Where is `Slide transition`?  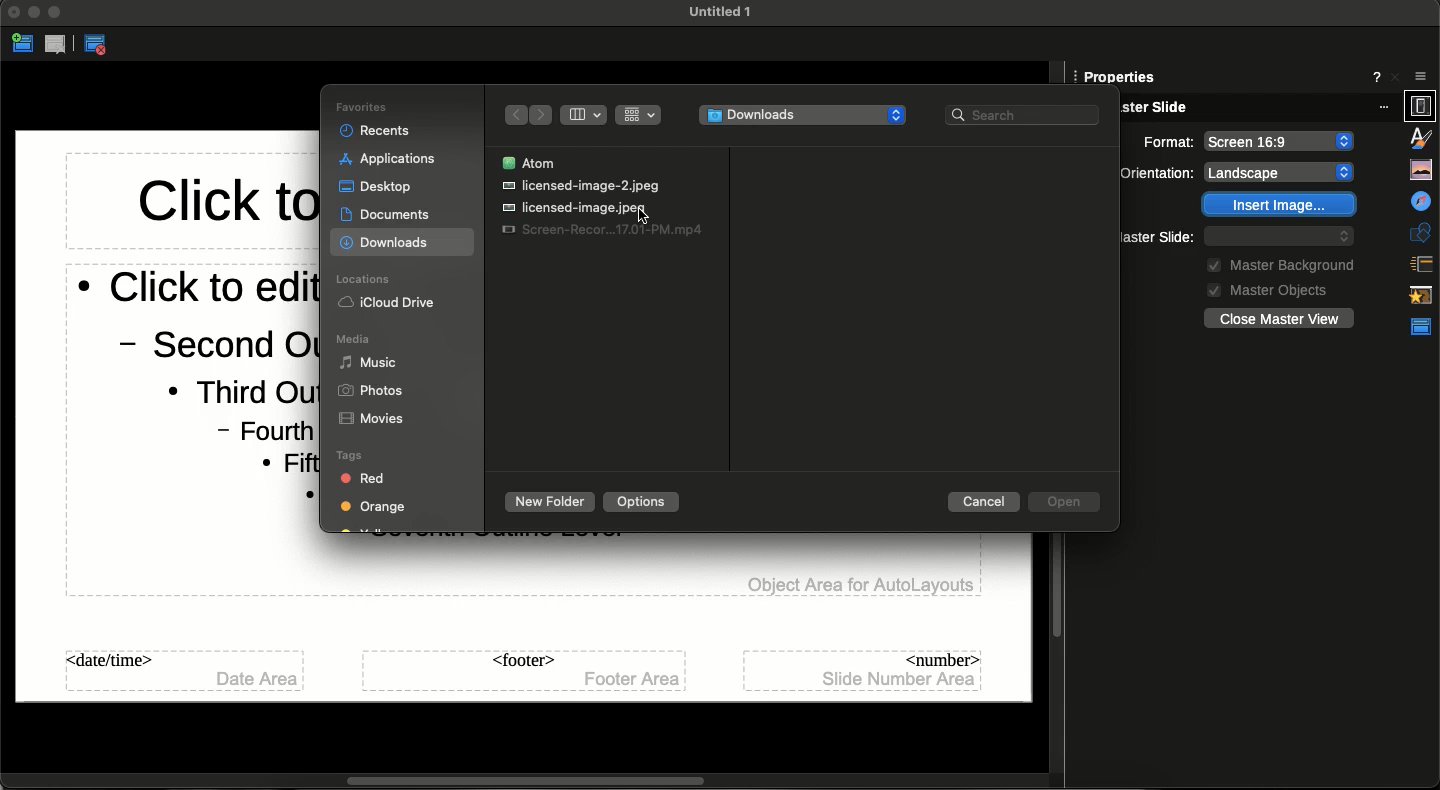 Slide transition is located at coordinates (1422, 228).